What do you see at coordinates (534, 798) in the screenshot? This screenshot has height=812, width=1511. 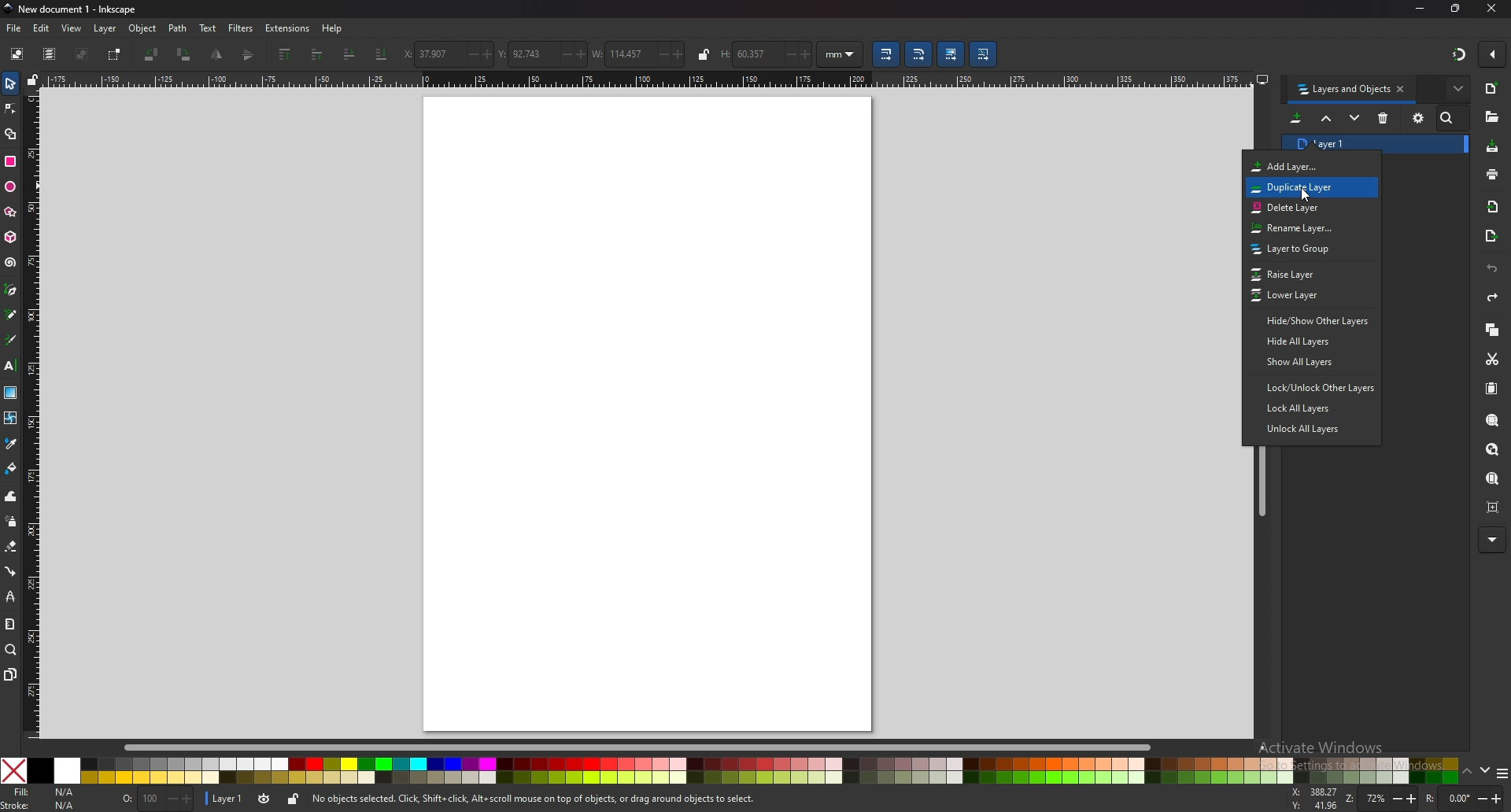 I see `info` at bounding box center [534, 798].